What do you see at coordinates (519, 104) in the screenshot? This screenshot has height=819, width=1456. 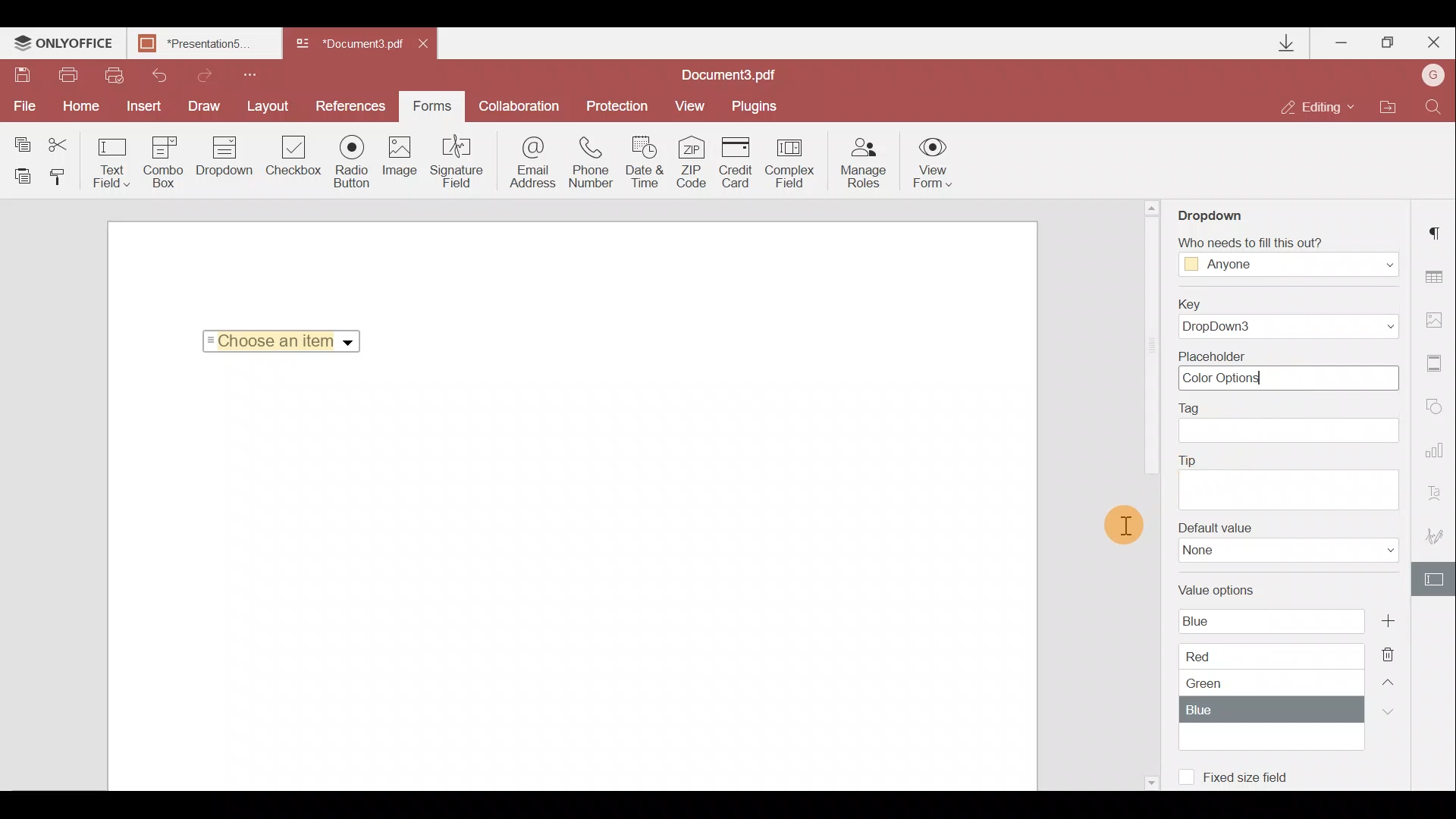 I see `Collaboration` at bounding box center [519, 104].